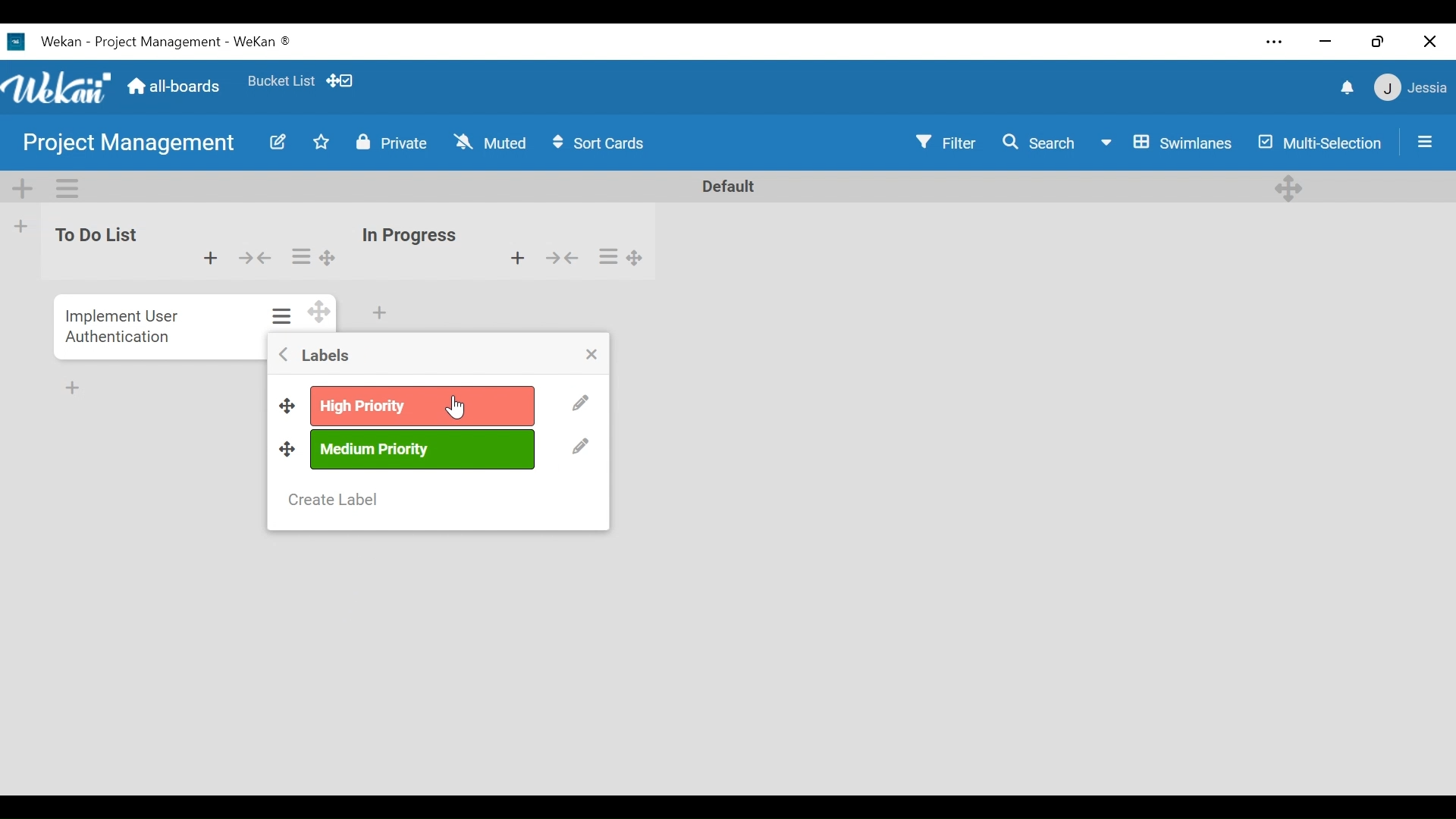 The image size is (1456, 819). Describe the element at coordinates (282, 315) in the screenshot. I see `card actions` at that location.